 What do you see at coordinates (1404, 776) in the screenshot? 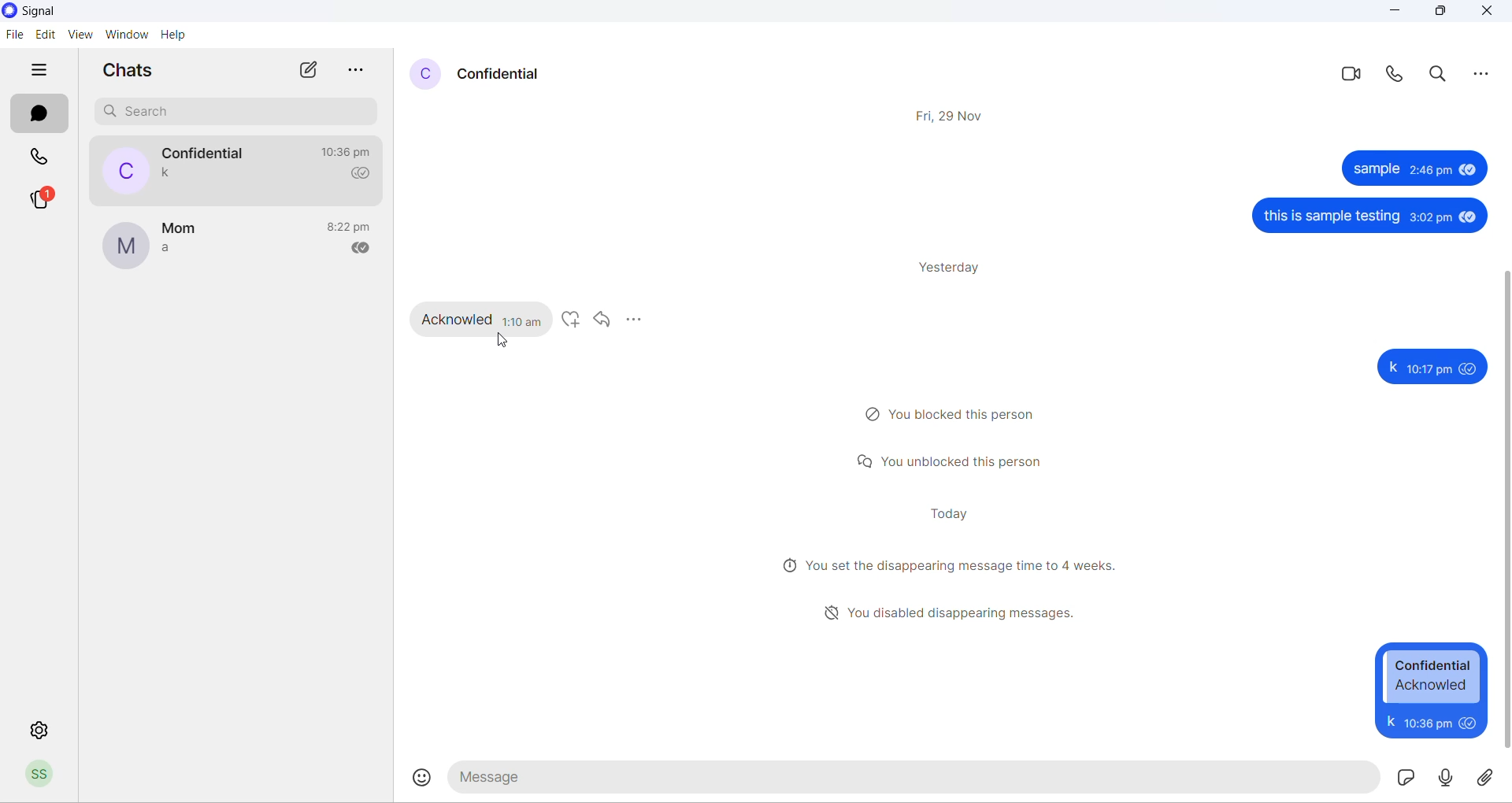
I see `sticker` at bounding box center [1404, 776].